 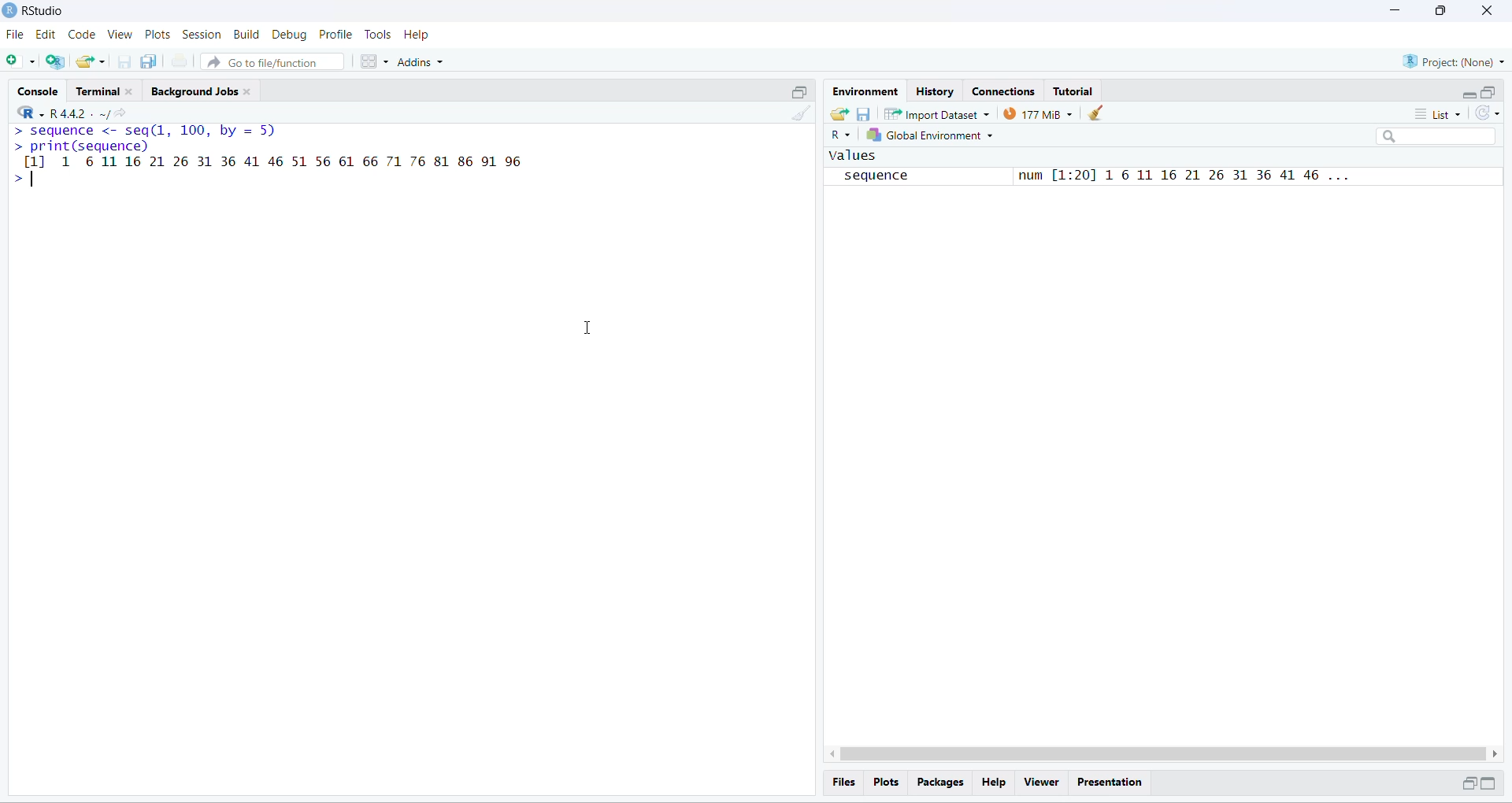 What do you see at coordinates (802, 113) in the screenshot?
I see `clean` at bounding box center [802, 113].